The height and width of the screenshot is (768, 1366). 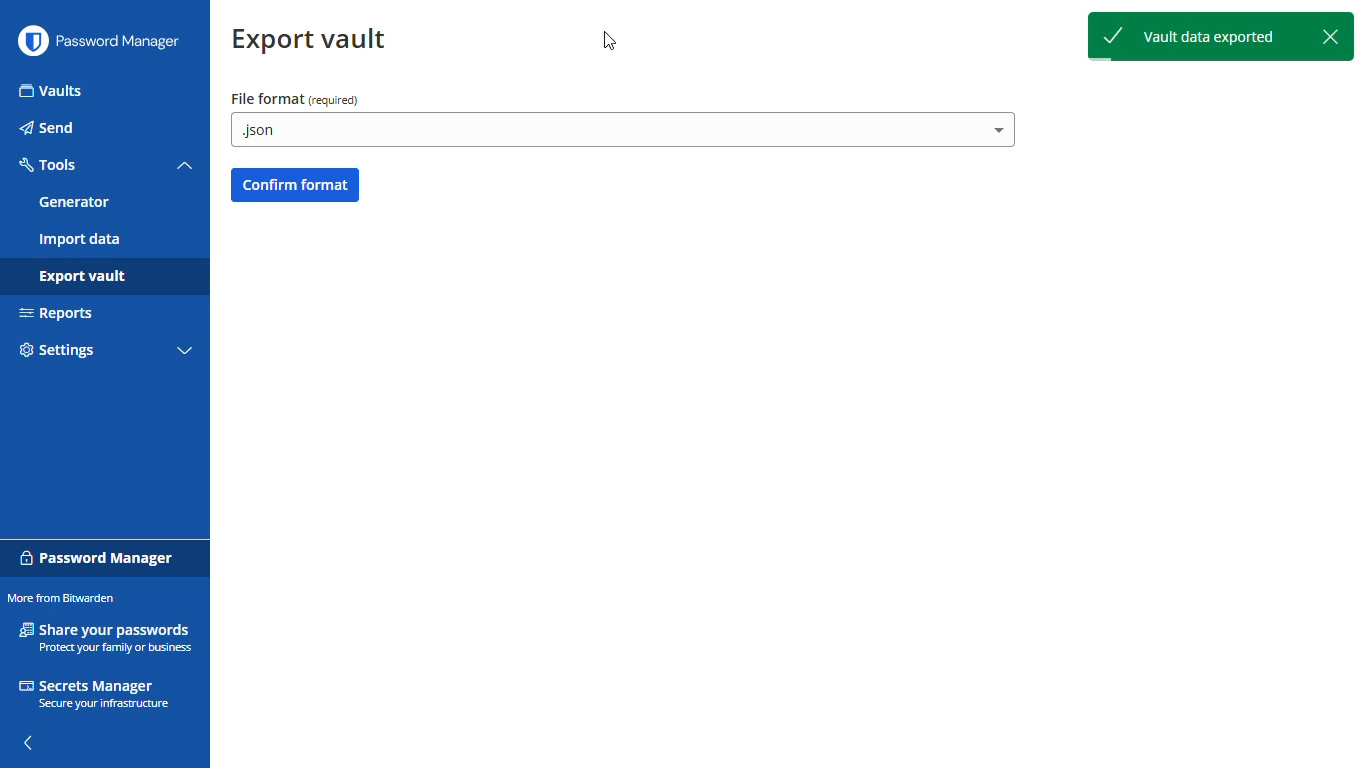 What do you see at coordinates (1197, 39) in the screenshot?
I see `vault data exported` at bounding box center [1197, 39].